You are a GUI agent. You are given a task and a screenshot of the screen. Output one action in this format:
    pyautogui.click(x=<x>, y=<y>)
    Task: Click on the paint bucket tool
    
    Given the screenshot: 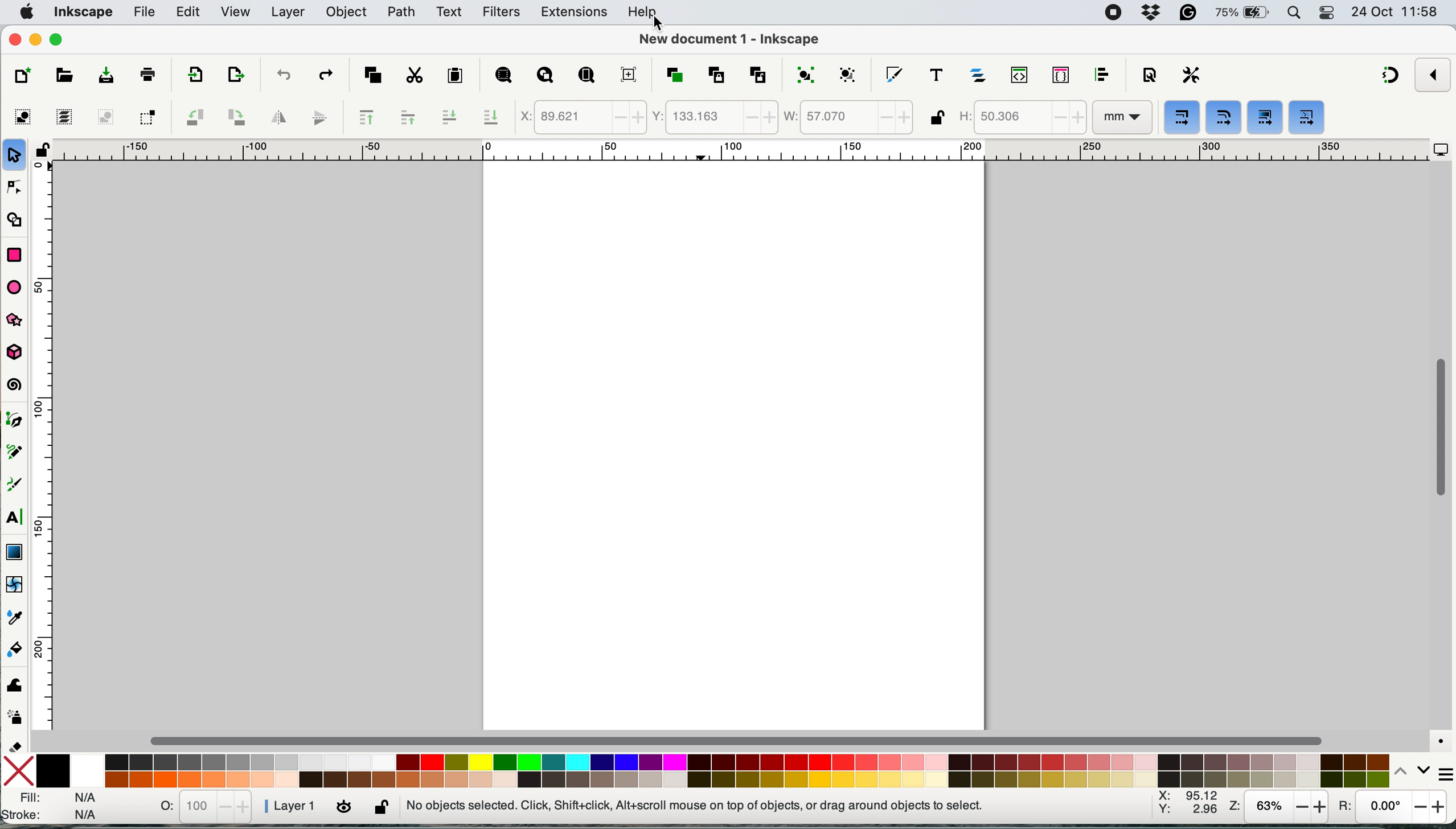 What is the action you would take?
    pyautogui.click(x=15, y=649)
    